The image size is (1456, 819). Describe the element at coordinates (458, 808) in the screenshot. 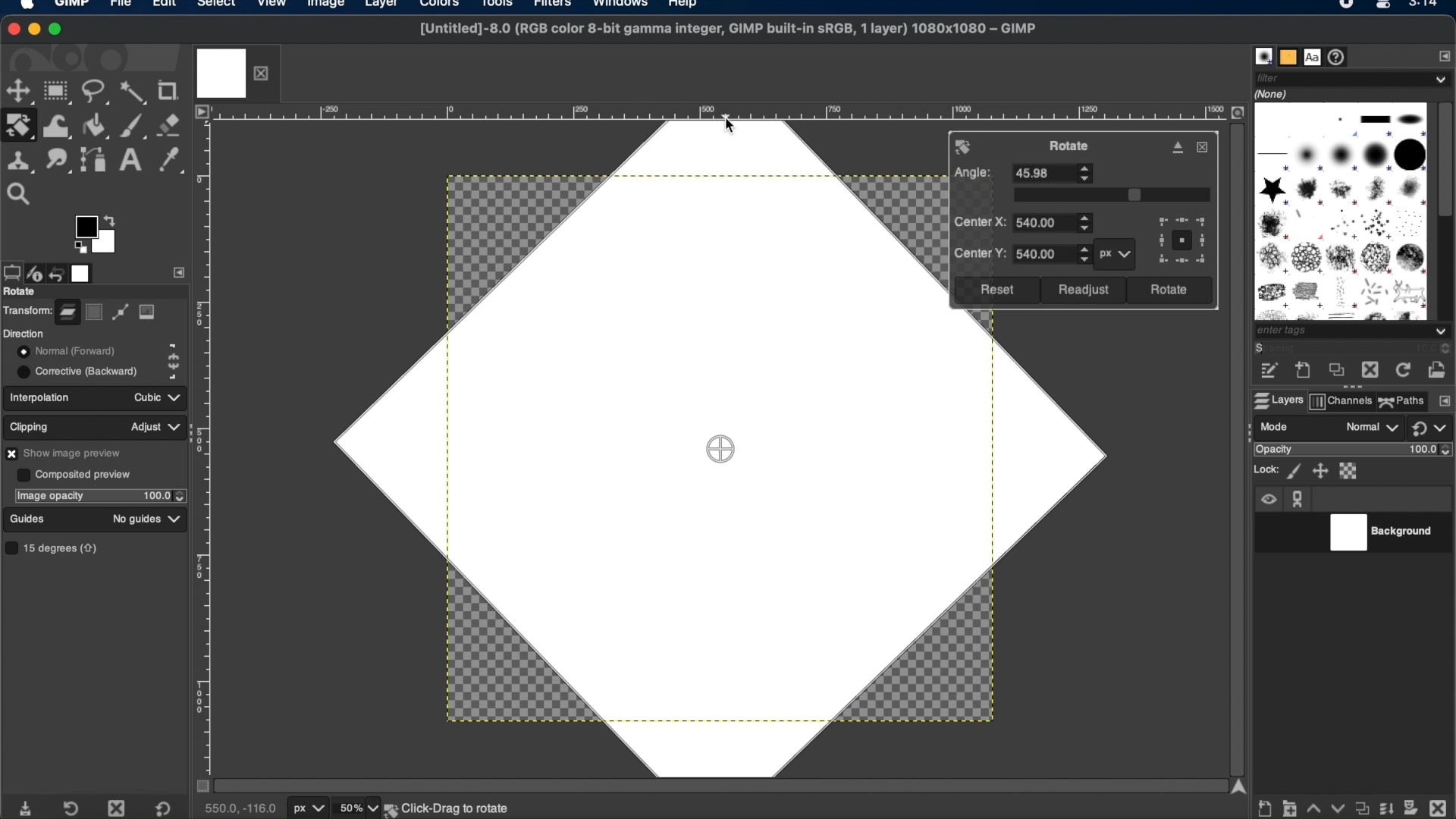

I see `background` at that location.